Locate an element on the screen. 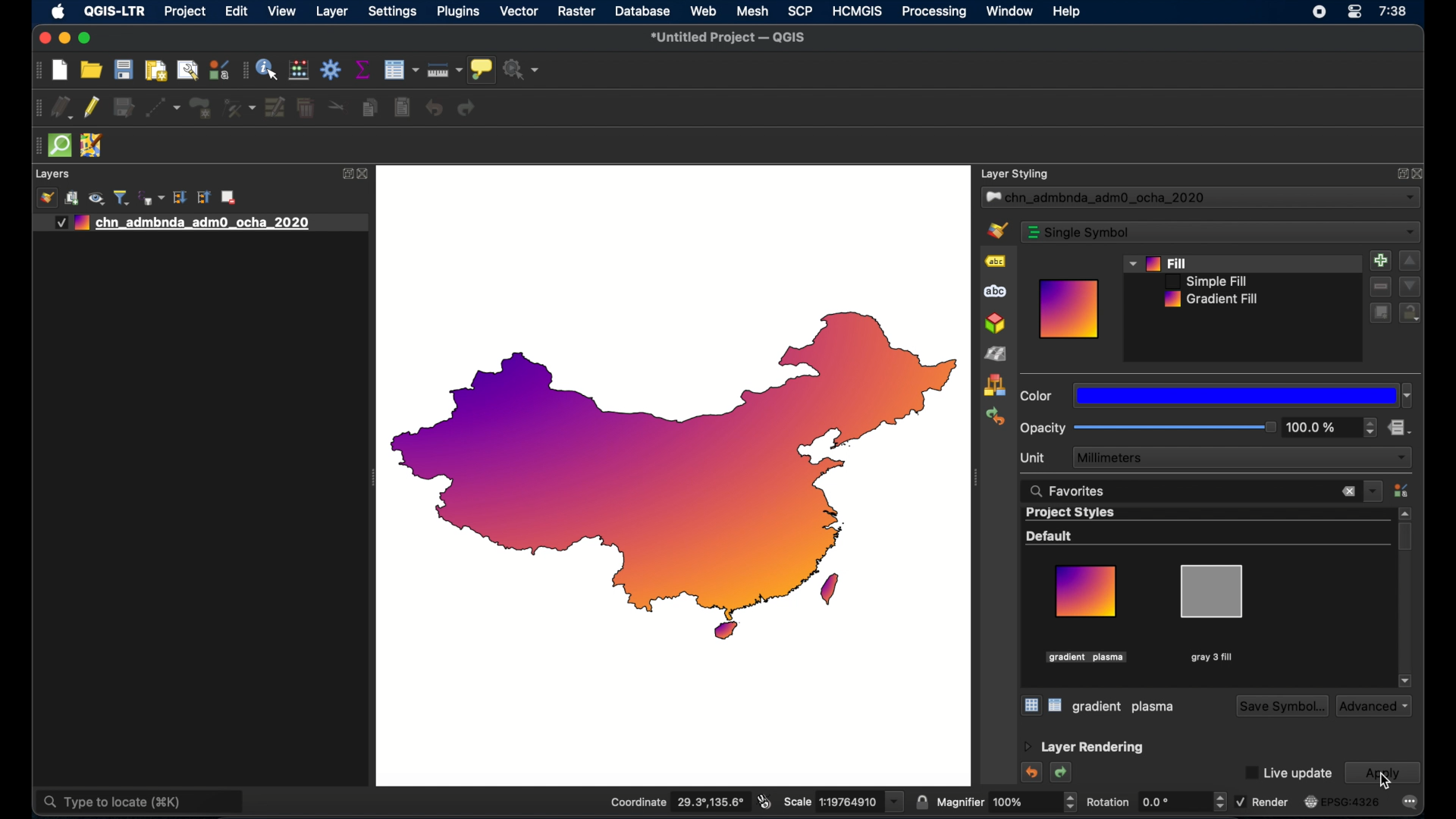  gray 3 fill is located at coordinates (1123, 707).